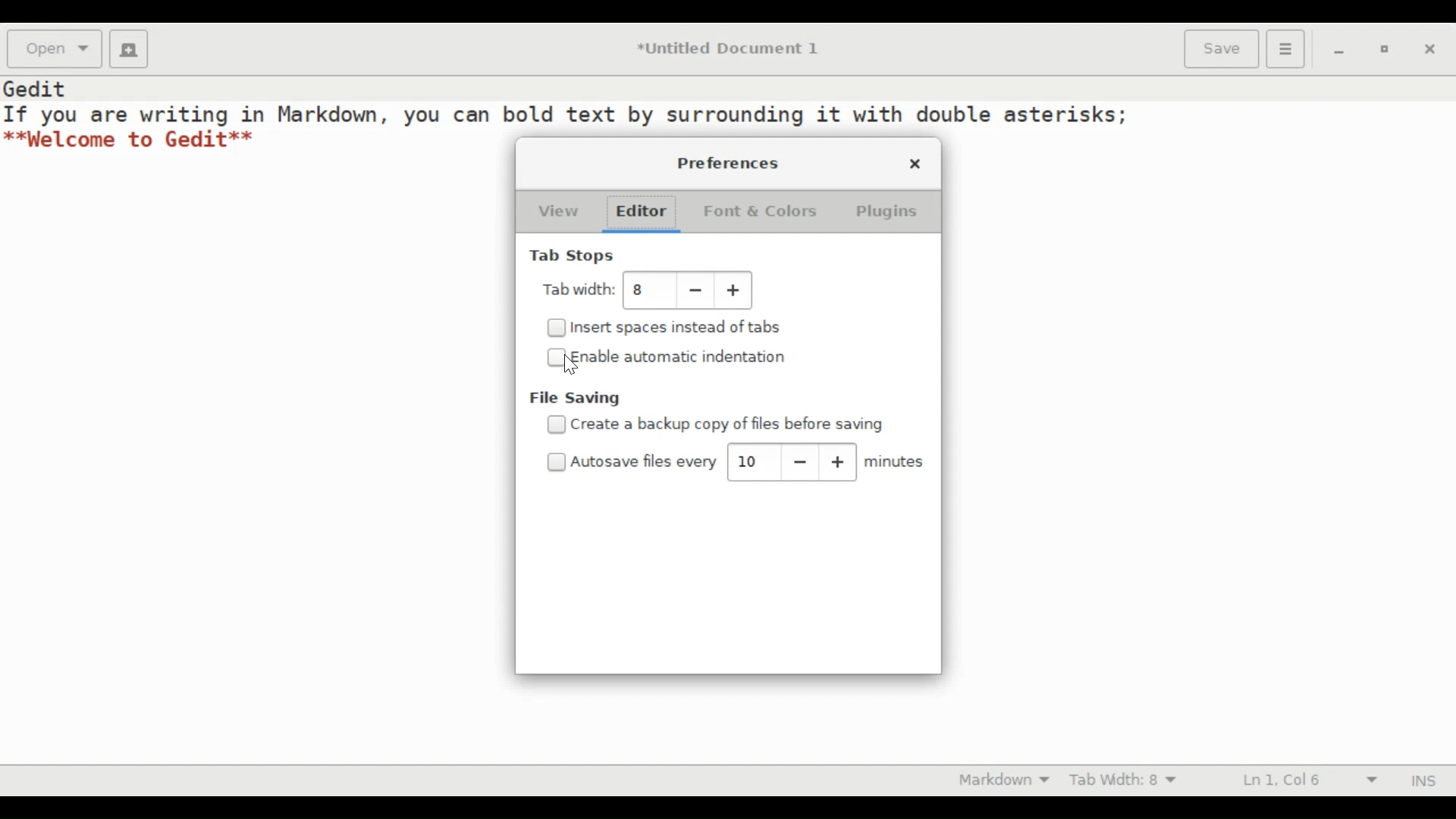  I want to click on Preferences, so click(730, 163).